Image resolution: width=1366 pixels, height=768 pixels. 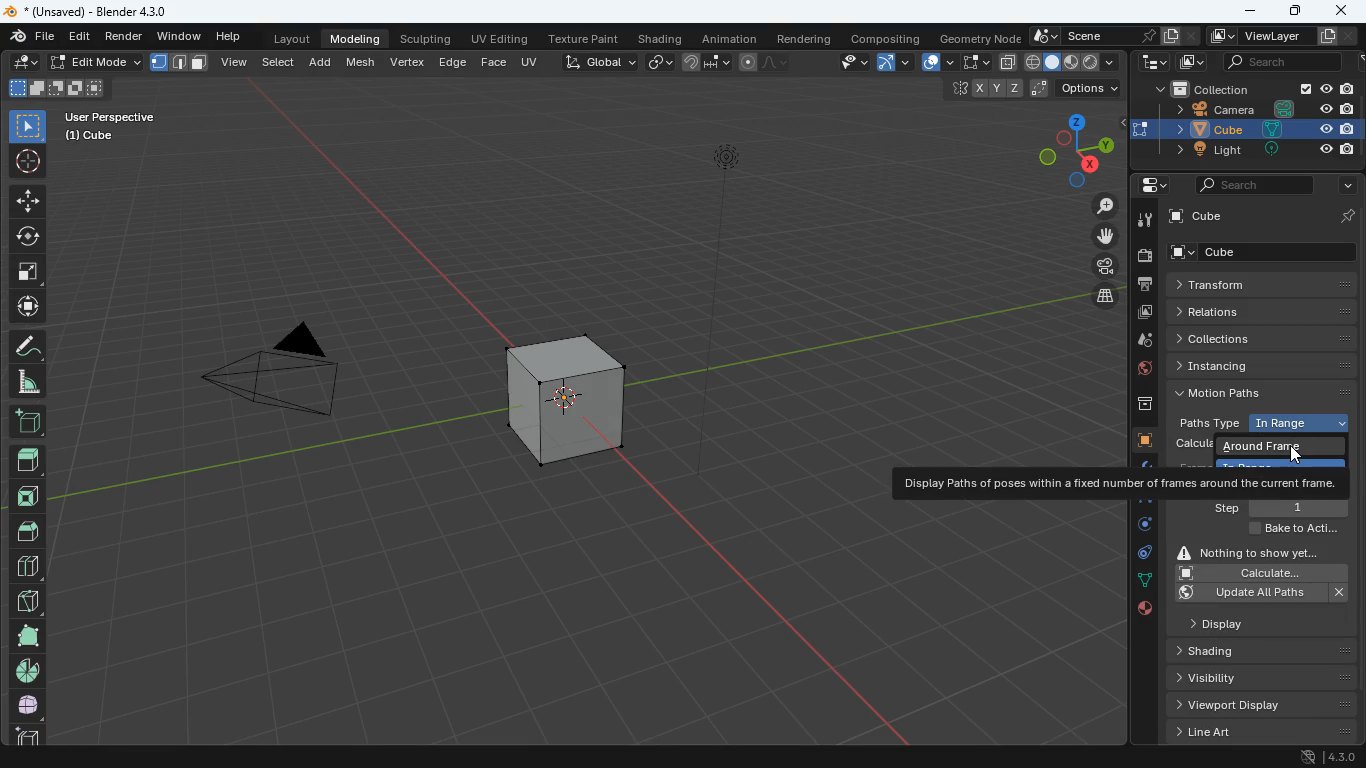 I want to click on mesh, so click(x=364, y=61).